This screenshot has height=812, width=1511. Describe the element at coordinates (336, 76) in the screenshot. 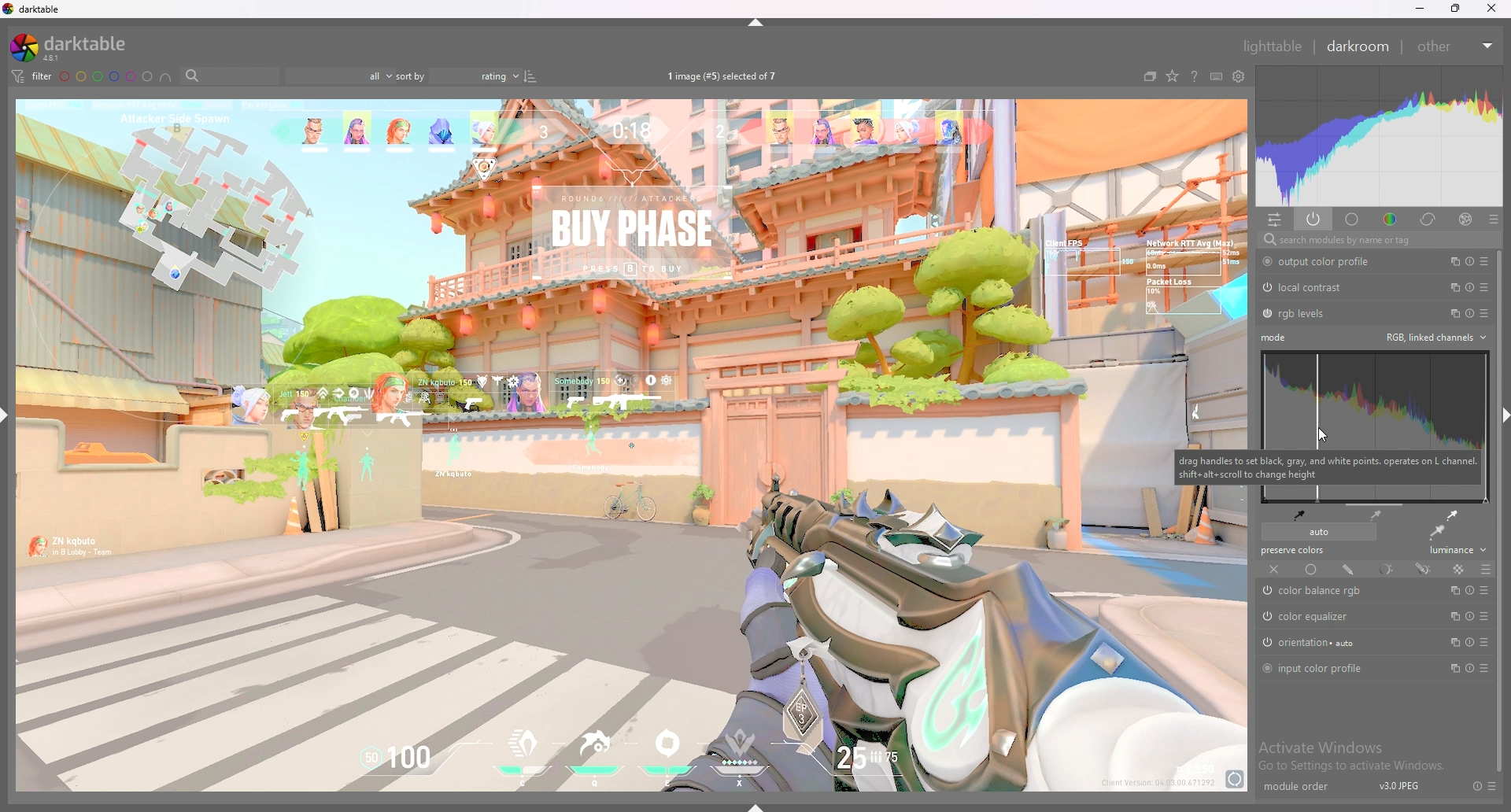

I see `filter by images rating` at that location.